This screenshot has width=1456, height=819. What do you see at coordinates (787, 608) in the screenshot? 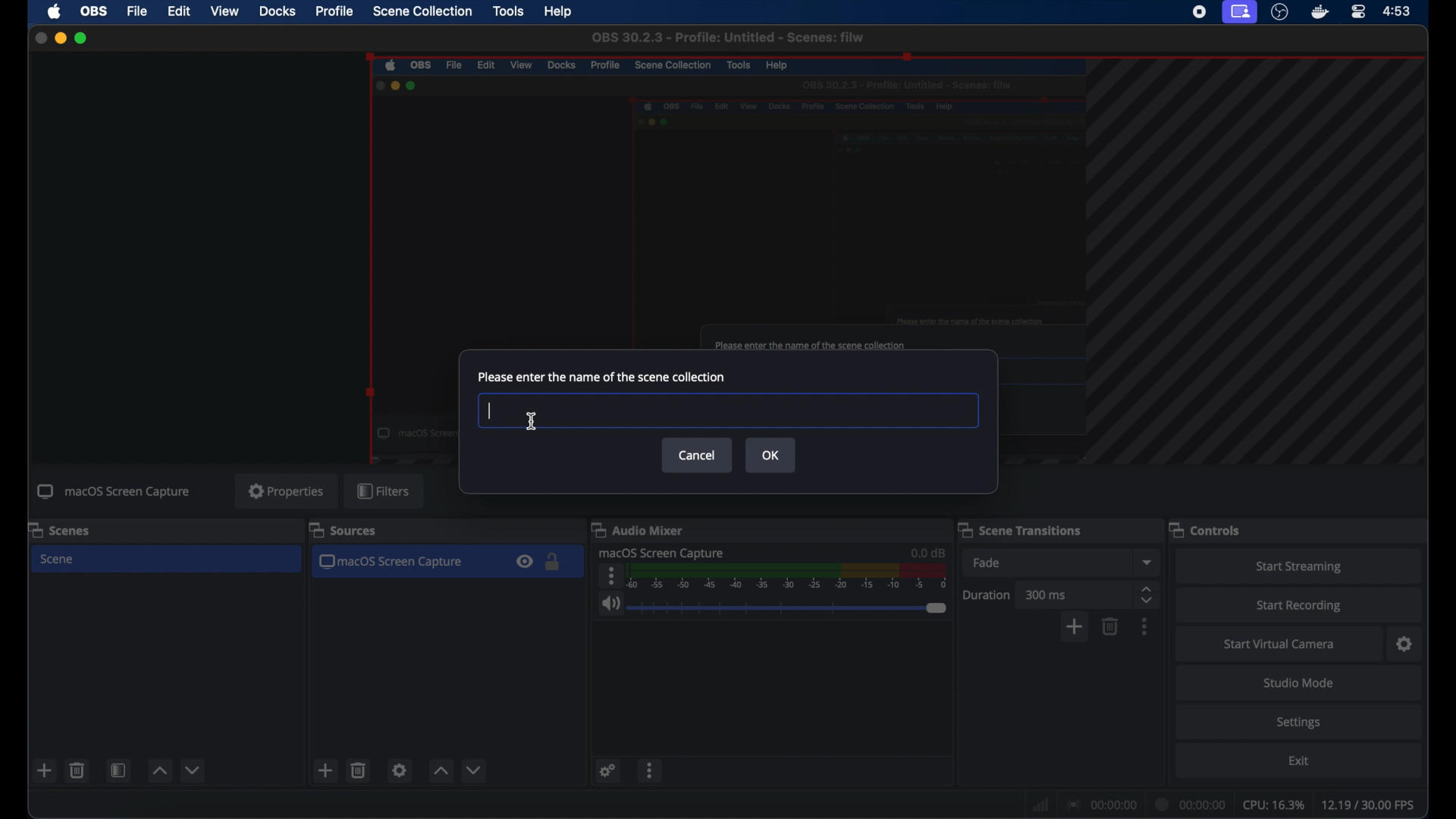
I see `slider` at bounding box center [787, 608].